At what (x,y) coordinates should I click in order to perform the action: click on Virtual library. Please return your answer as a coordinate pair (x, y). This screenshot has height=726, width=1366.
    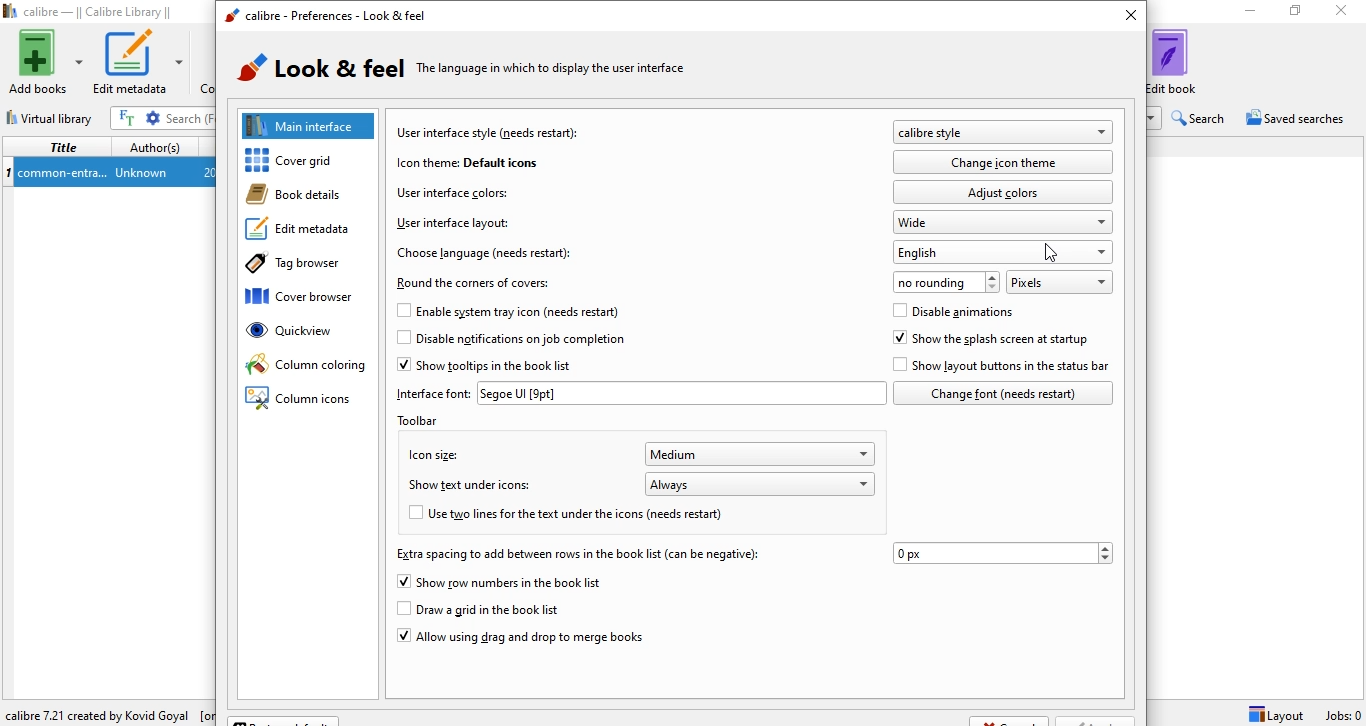
    Looking at the image, I should click on (52, 115).